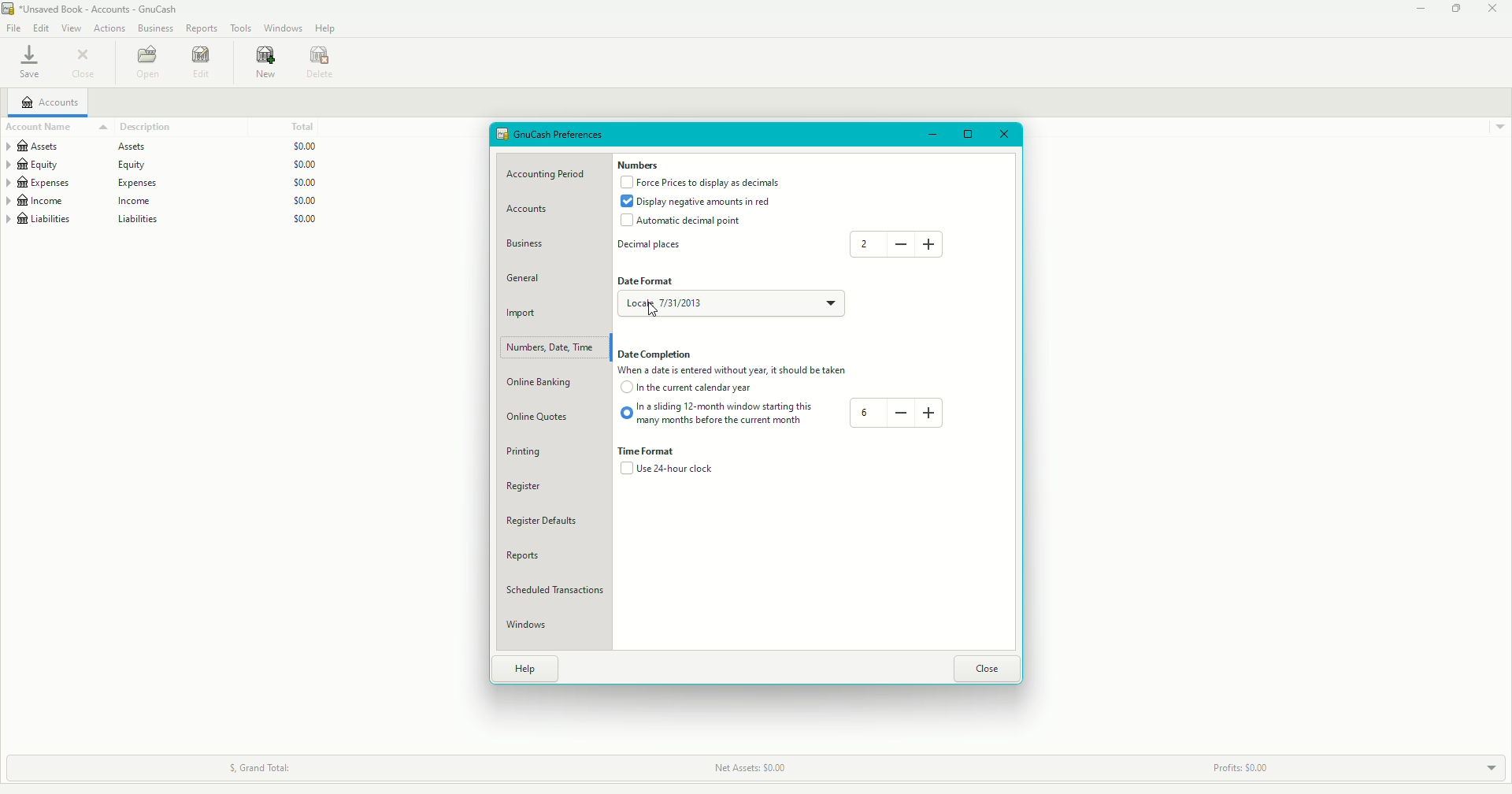 This screenshot has height=794, width=1512. I want to click on Windows, so click(282, 28).